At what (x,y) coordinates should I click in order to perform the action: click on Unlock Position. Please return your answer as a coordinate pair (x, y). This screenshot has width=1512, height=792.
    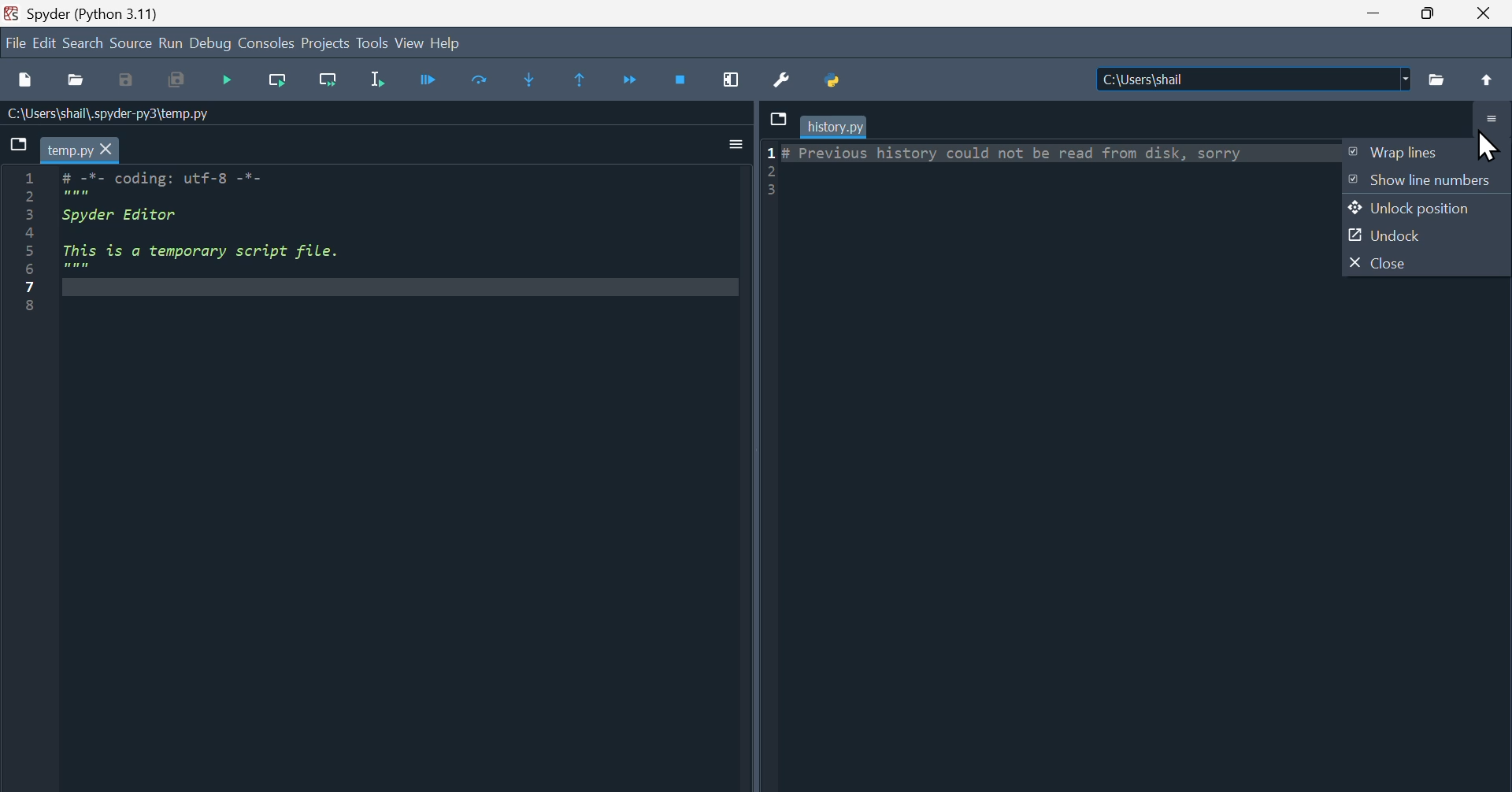
    Looking at the image, I should click on (1424, 206).